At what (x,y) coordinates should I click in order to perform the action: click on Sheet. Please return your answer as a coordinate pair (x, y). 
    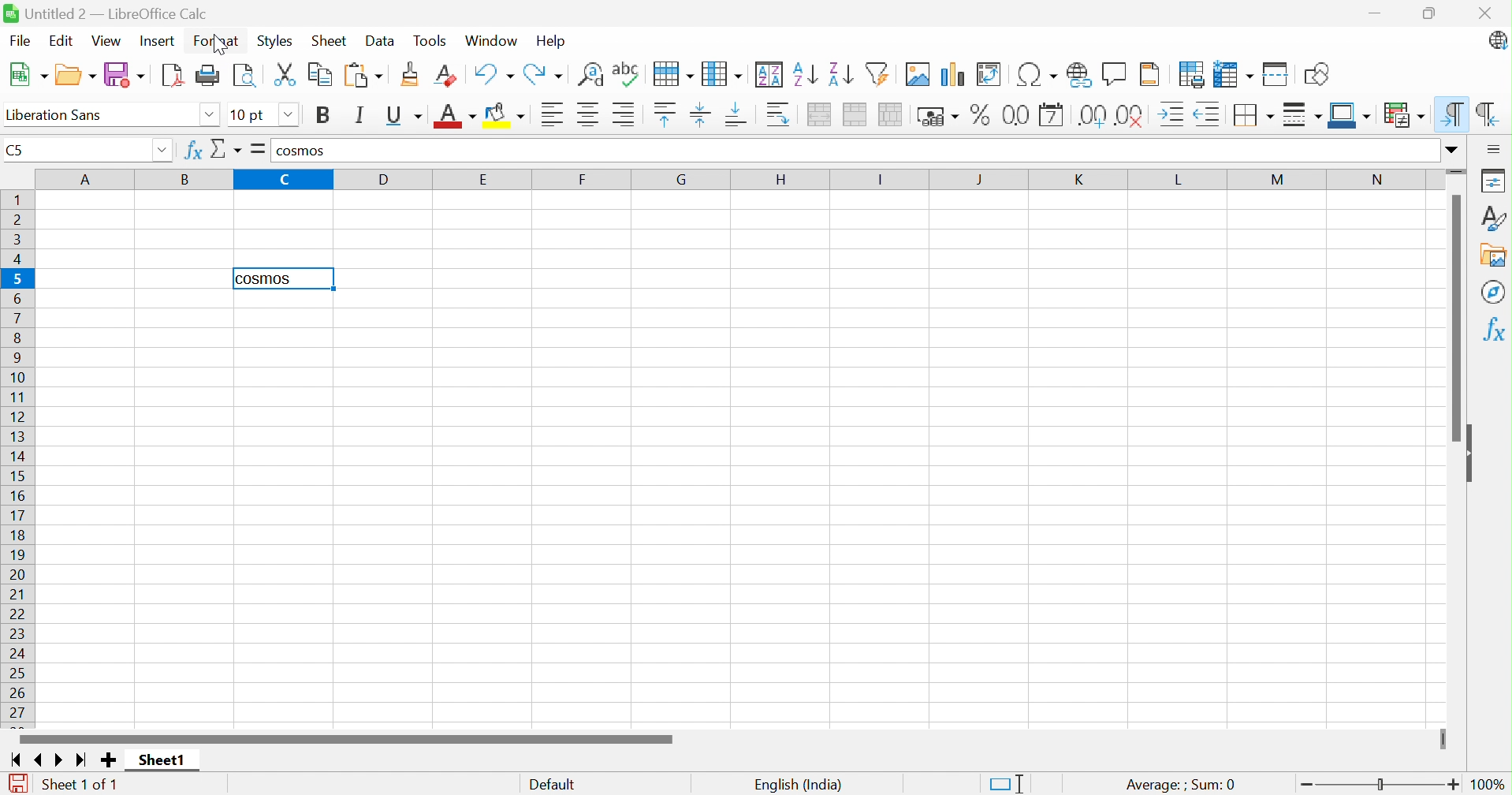
    Looking at the image, I should click on (328, 41).